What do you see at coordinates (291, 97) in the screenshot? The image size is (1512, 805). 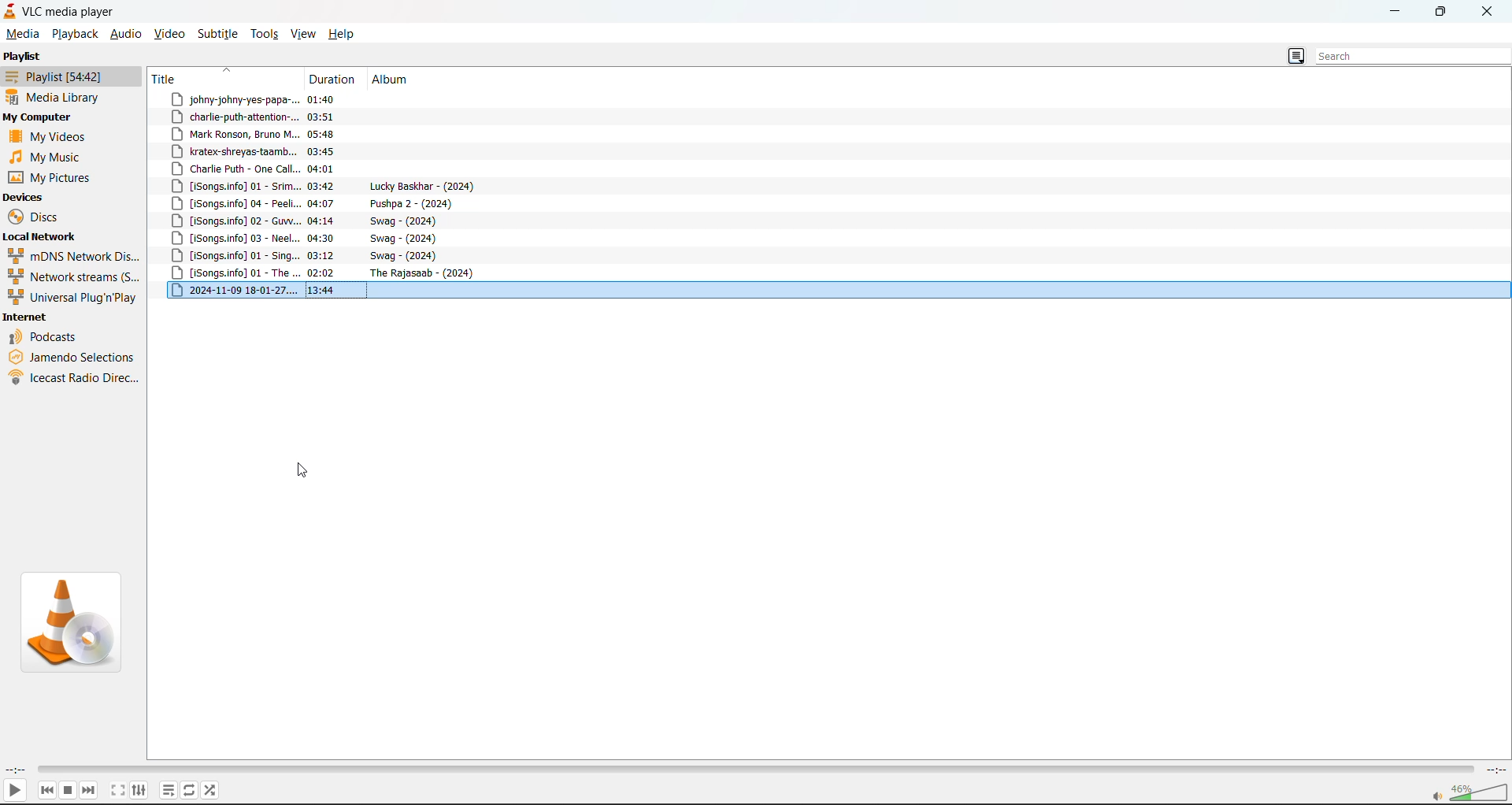 I see `track 1 title, duration and album details` at bounding box center [291, 97].